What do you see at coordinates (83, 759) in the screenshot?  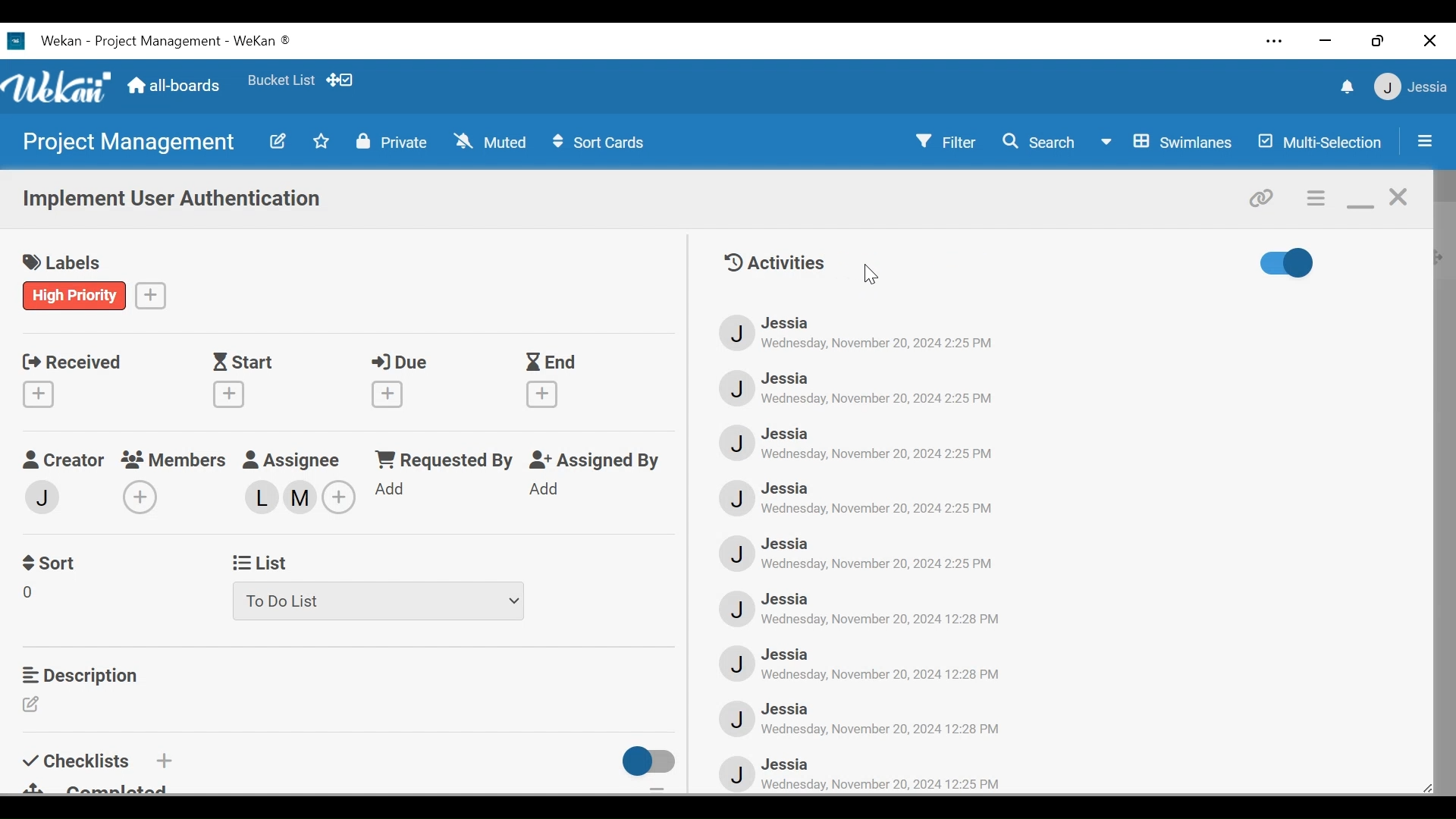 I see `Checklist` at bounding box center [83, 759].